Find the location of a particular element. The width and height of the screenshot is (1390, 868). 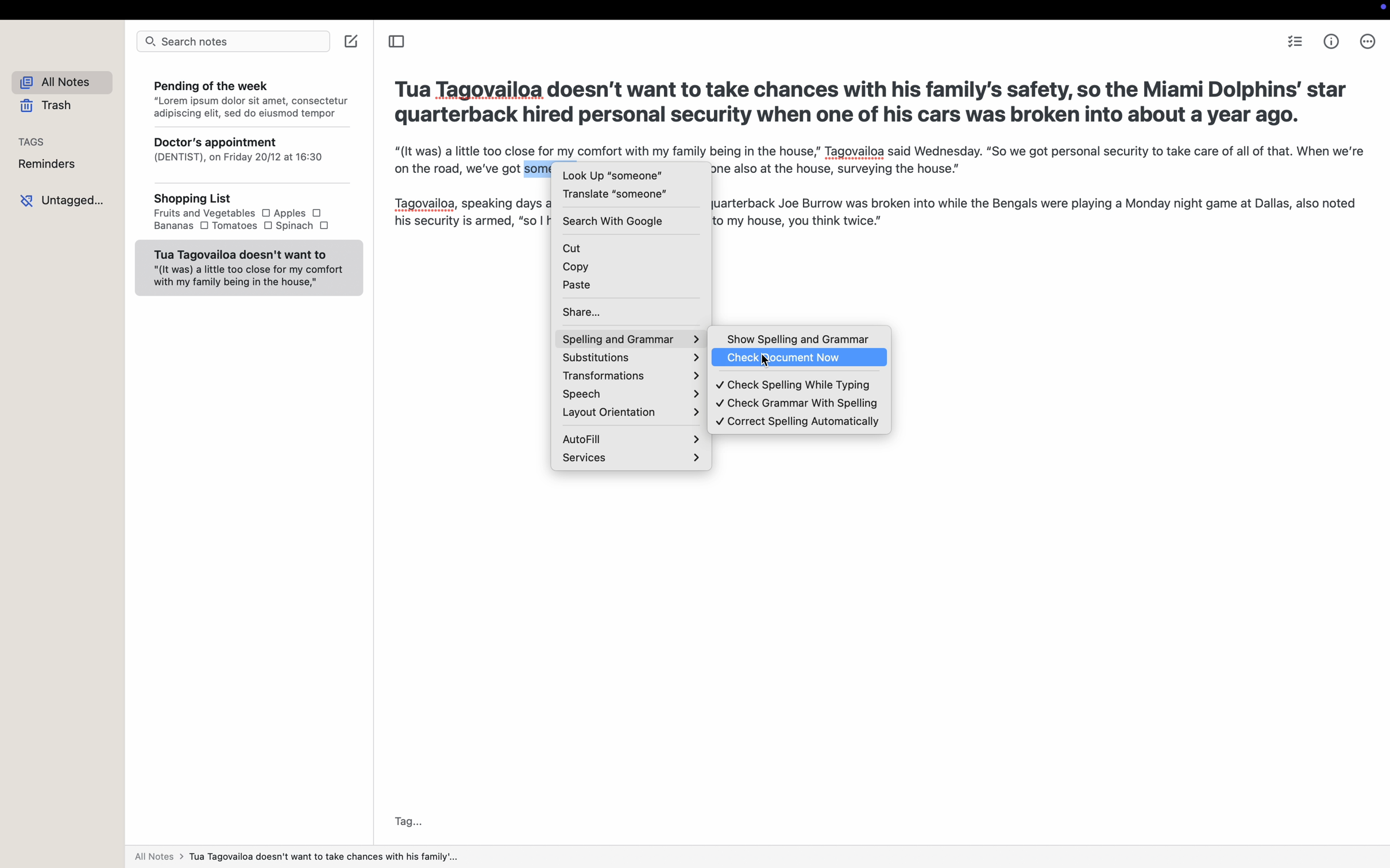

Tua Tagovailoa doesn't want to
"(It was) a little too close for my comfort
with my family being in the house," is located at coordinates (248, 268).